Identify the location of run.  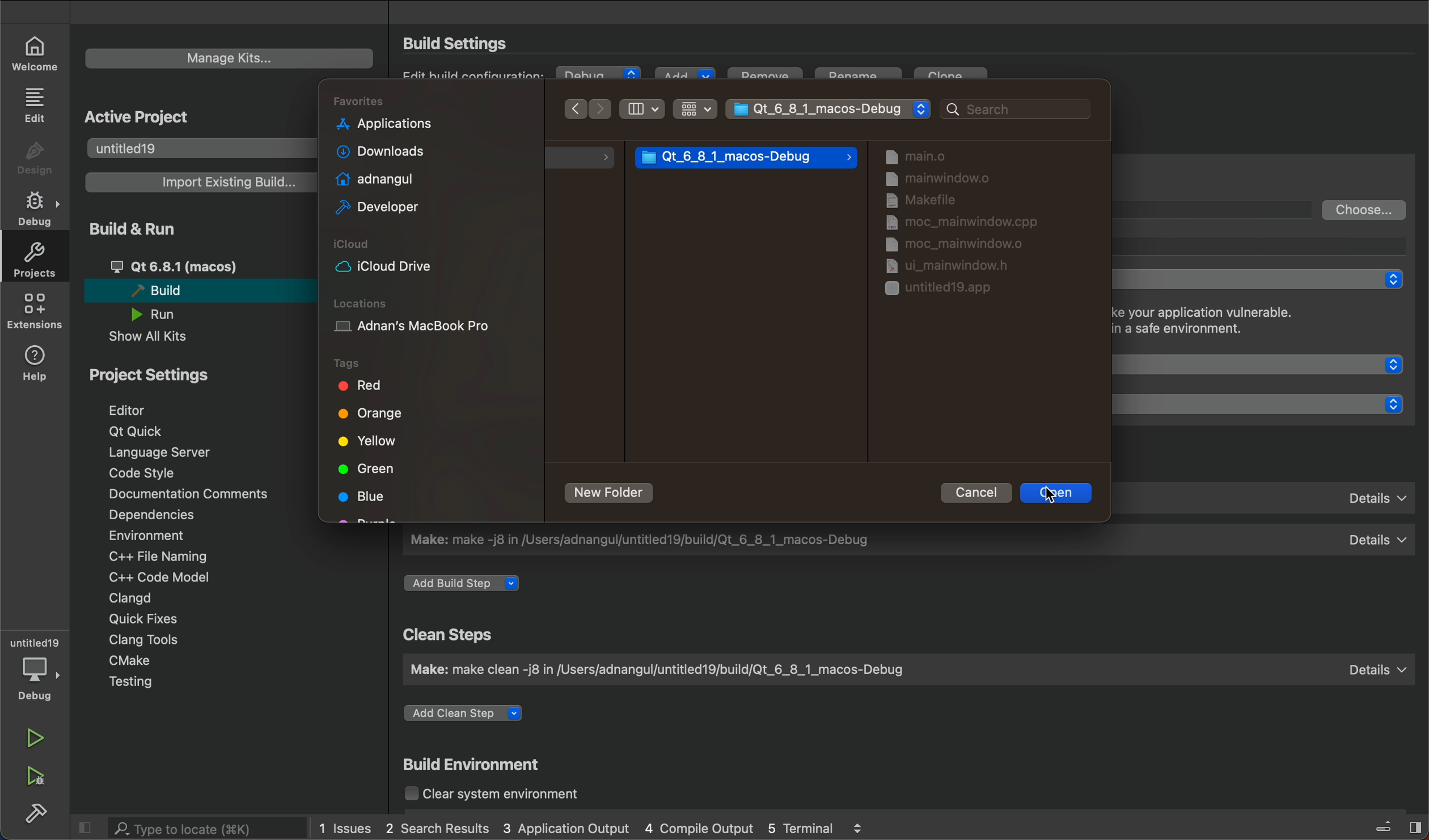
(38, 739).